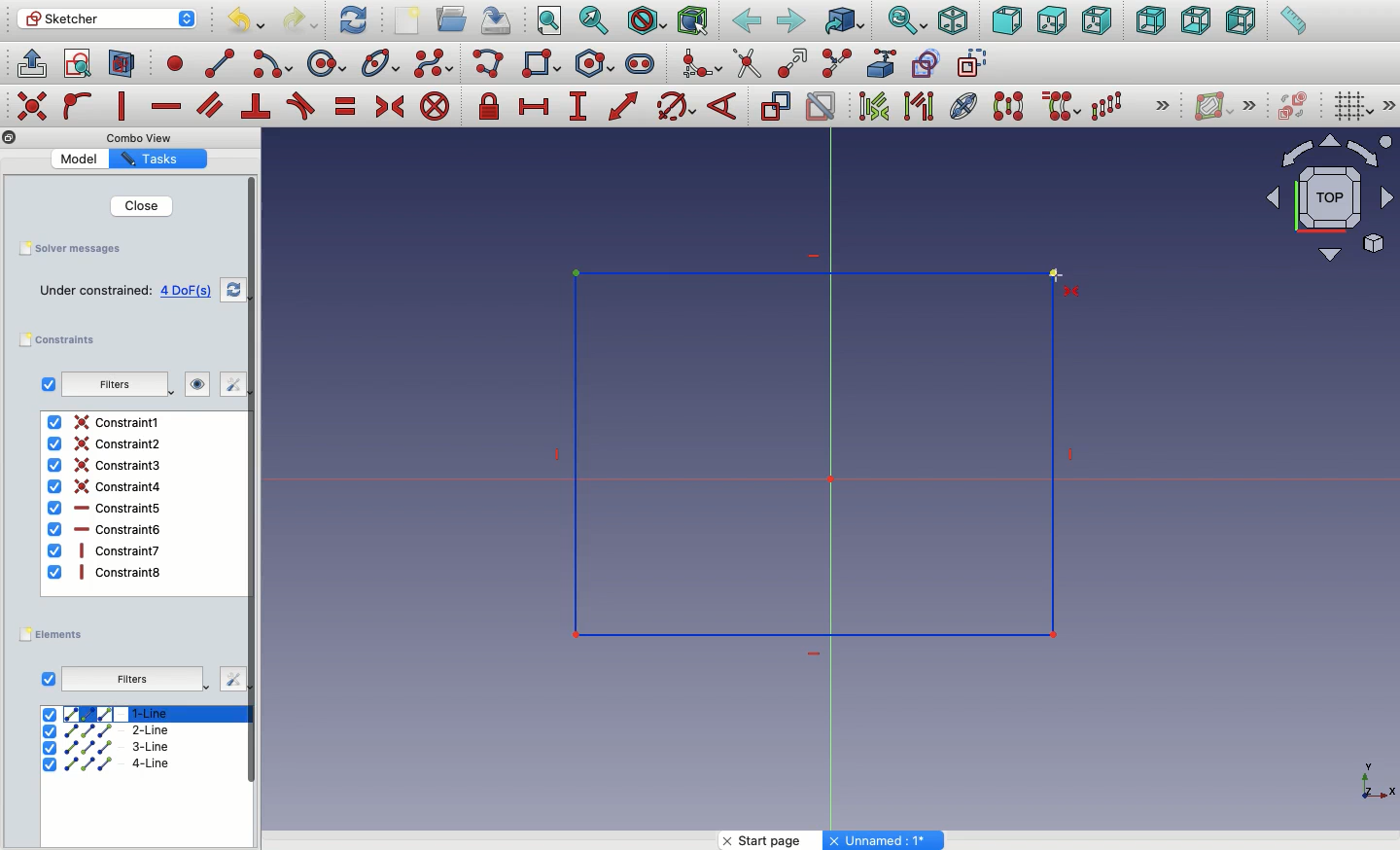  Describe the element at coordinates (1351, 105) in the screenshot. I see `Toggle grid` at that location.